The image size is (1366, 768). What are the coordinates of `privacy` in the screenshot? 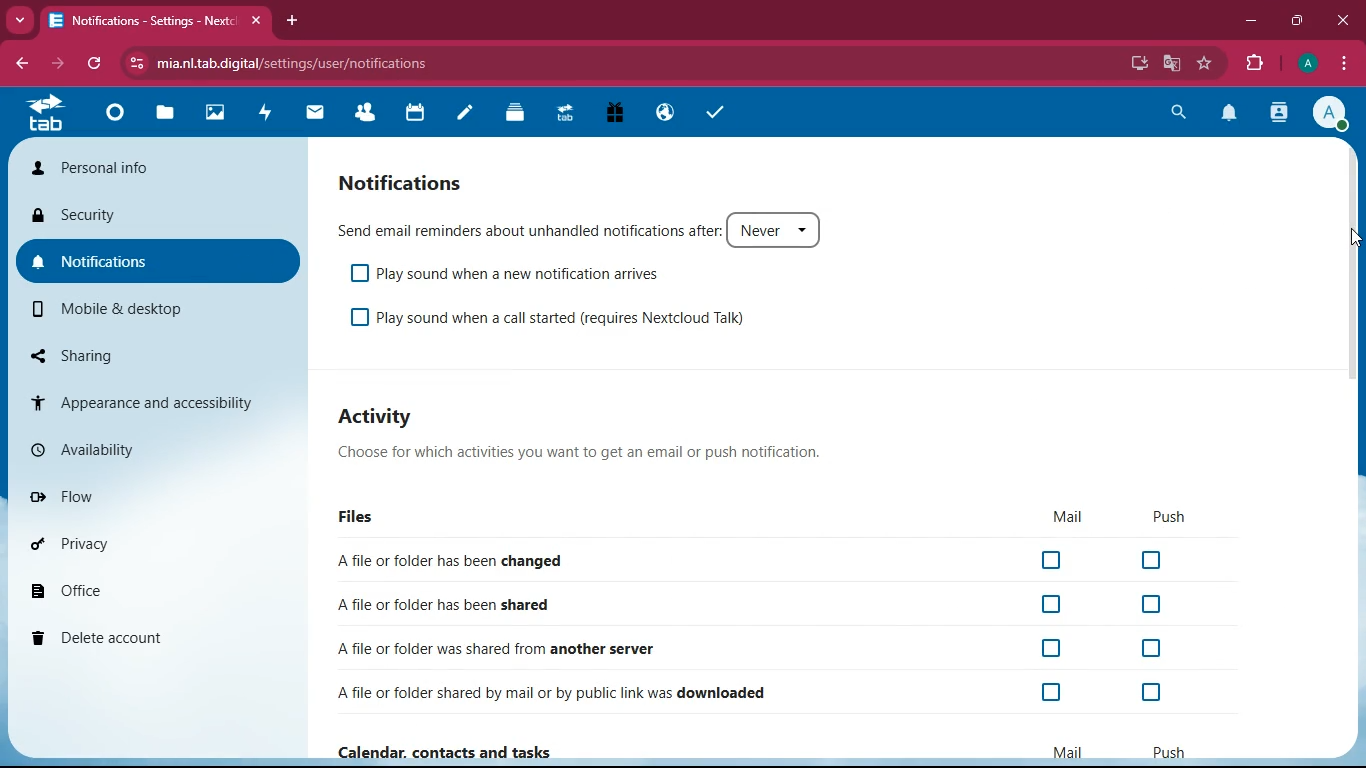 It's located at (155, 539).